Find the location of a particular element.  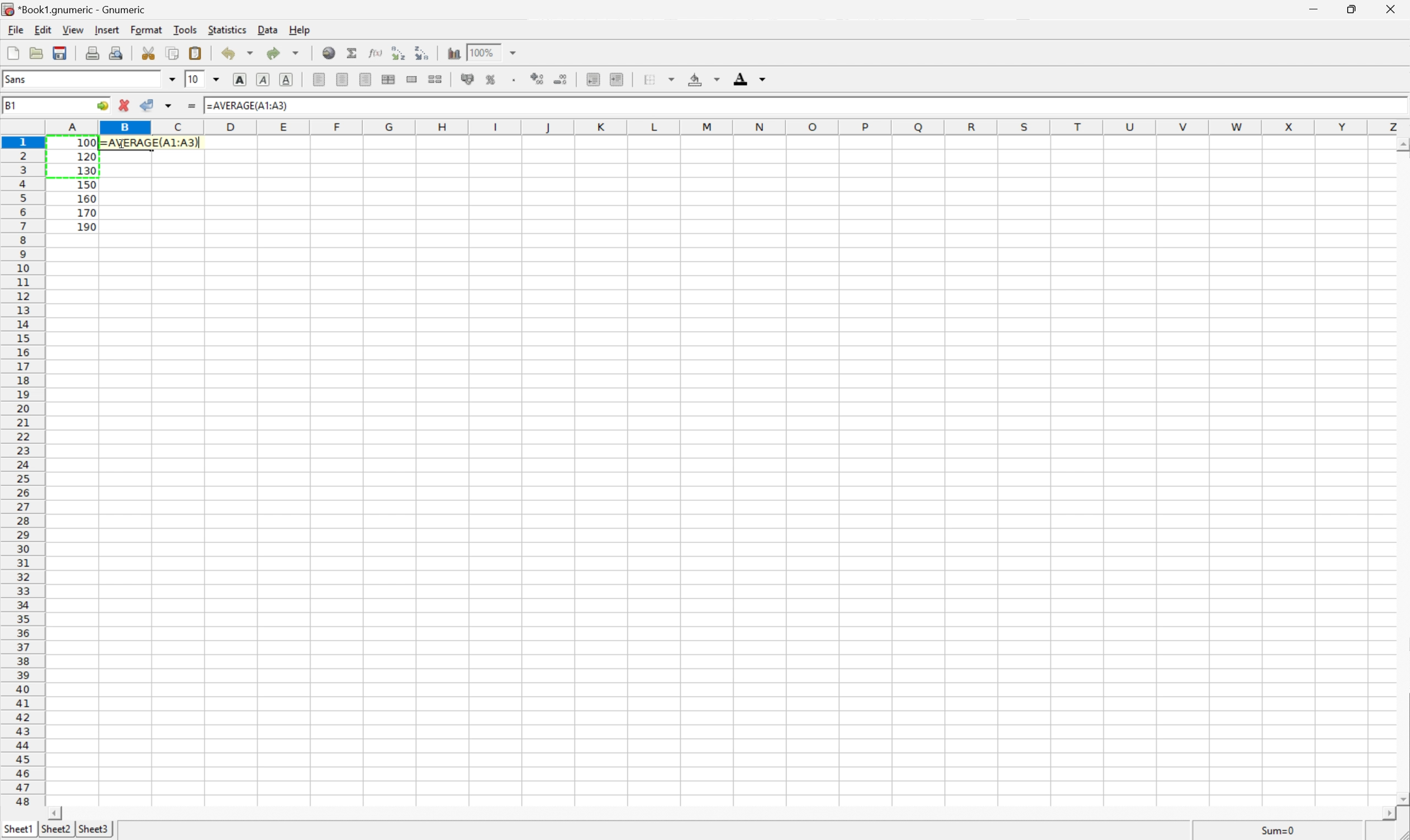

100 is located at coordinates (87, 142).